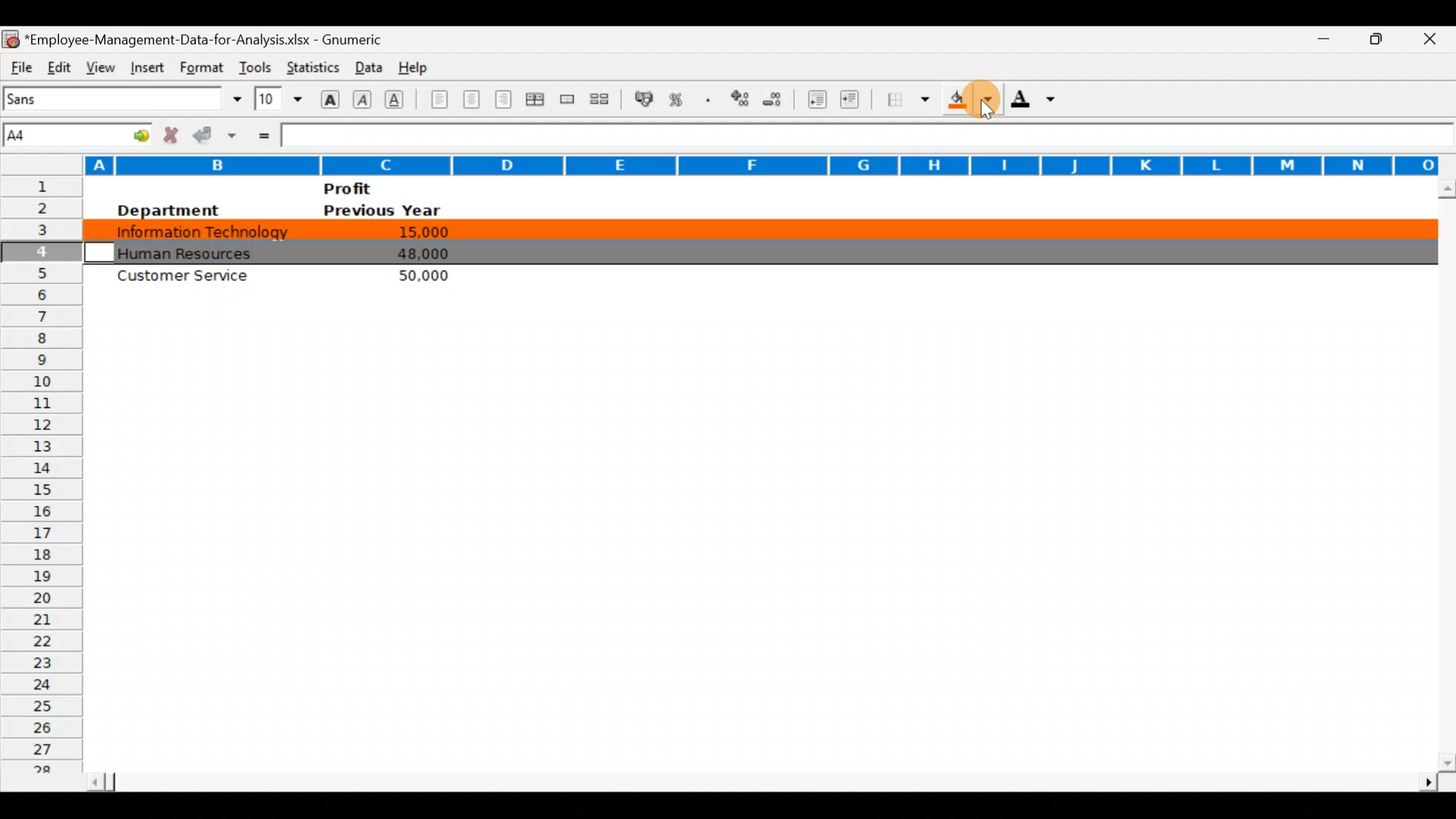 The width and height of the screenshot is (1456, 819). What do you see at coordinates (908, 99) in the screenshot?
I see `Borders` at bounding box center [908, 99].